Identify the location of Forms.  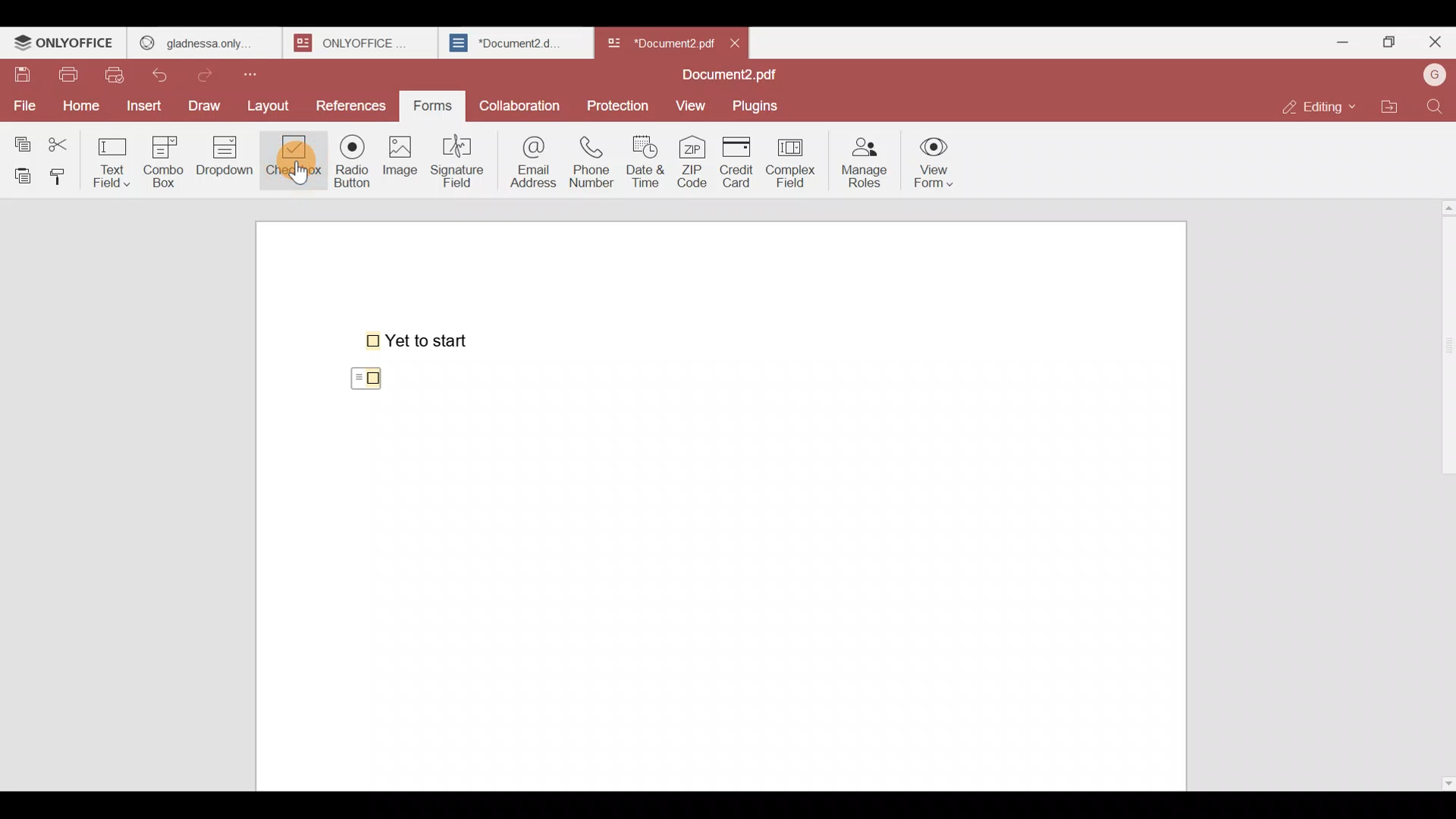
(434, 104).